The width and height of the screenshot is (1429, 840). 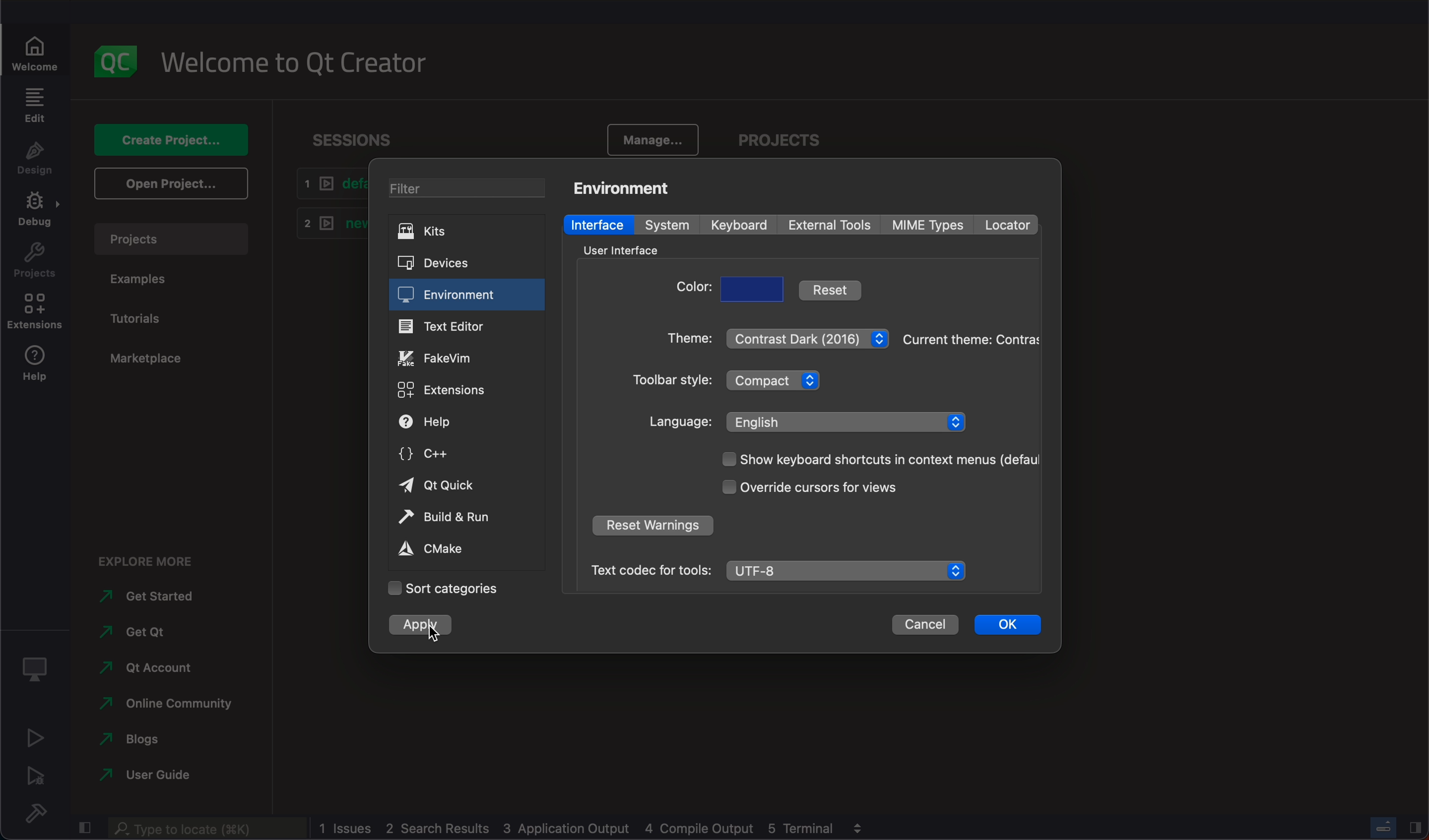 What do you see at coordinates (807, 338) in the screenshot?
I see `theme menu` at bounding box center [807, 338].